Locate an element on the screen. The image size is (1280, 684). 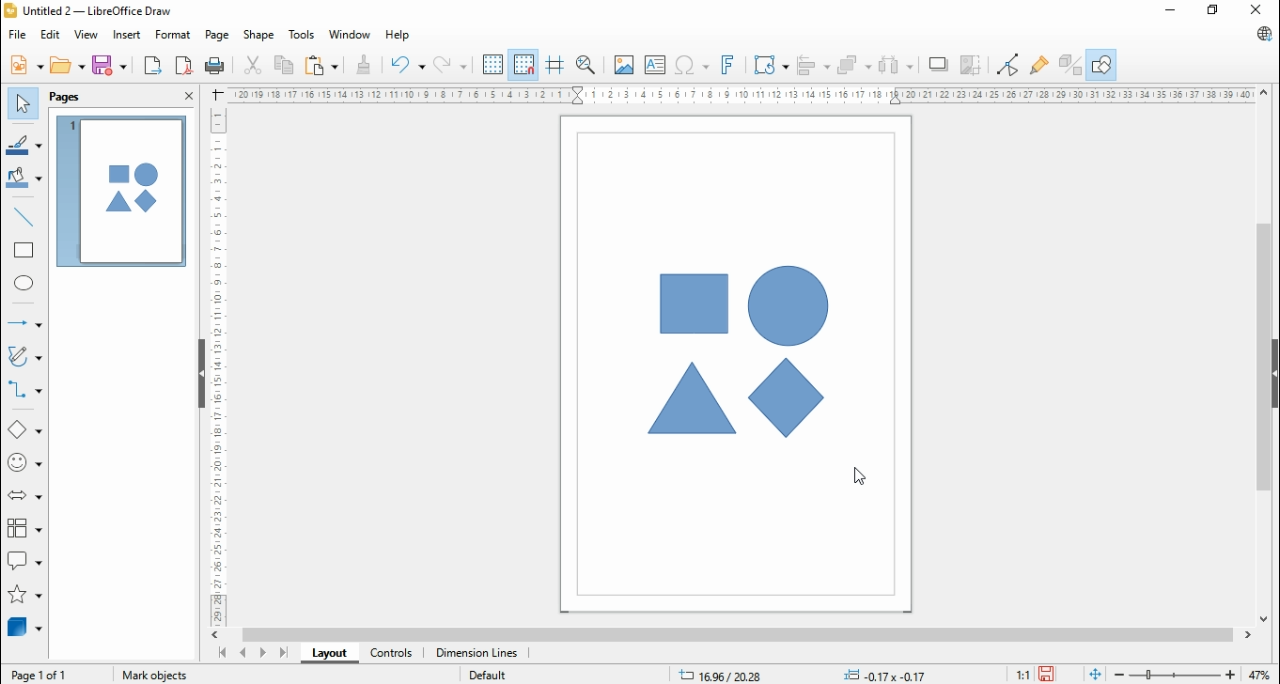
shape is located at coordinates (258, 35).